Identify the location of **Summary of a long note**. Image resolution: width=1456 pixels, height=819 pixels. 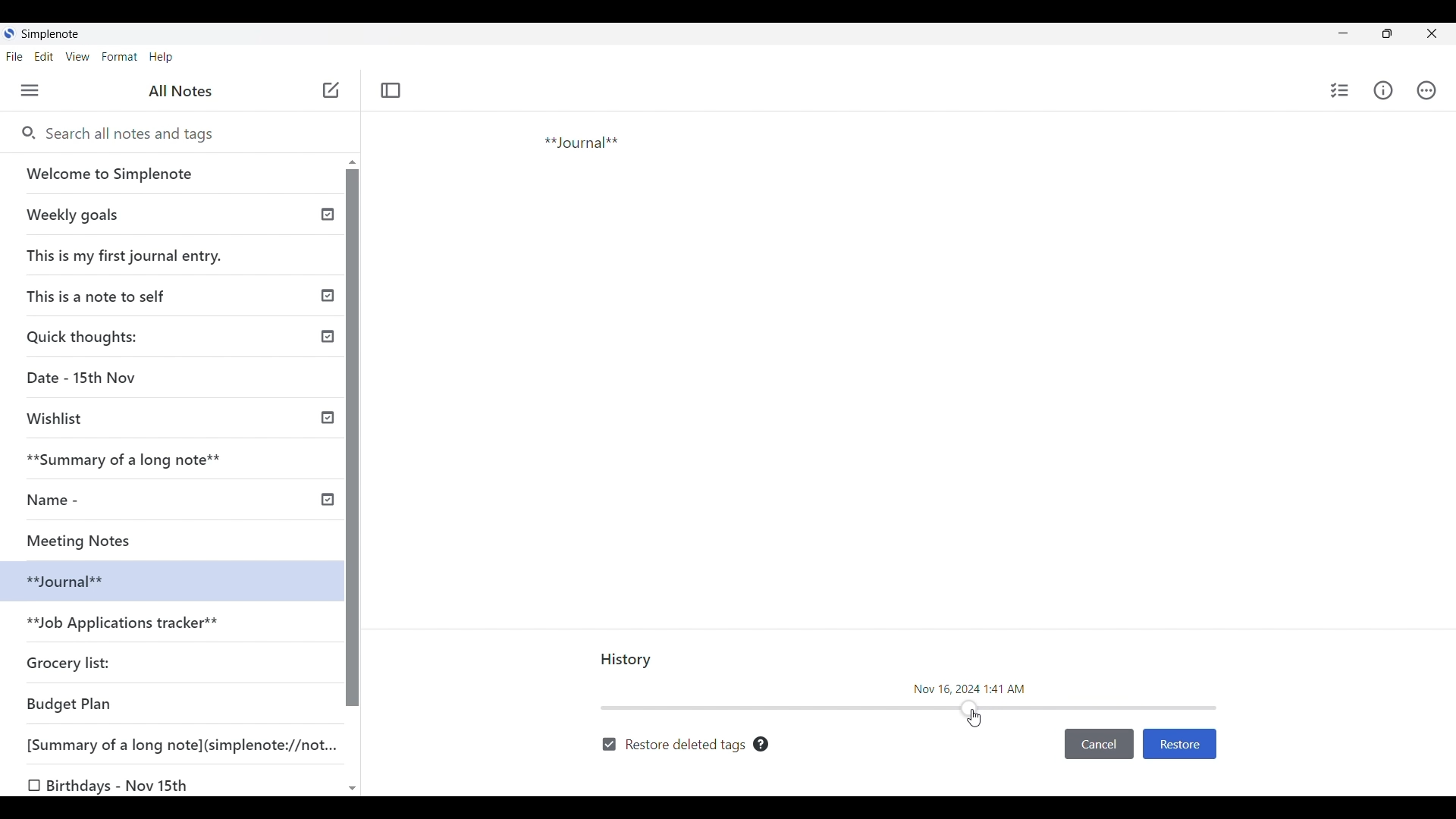
(134, 459).